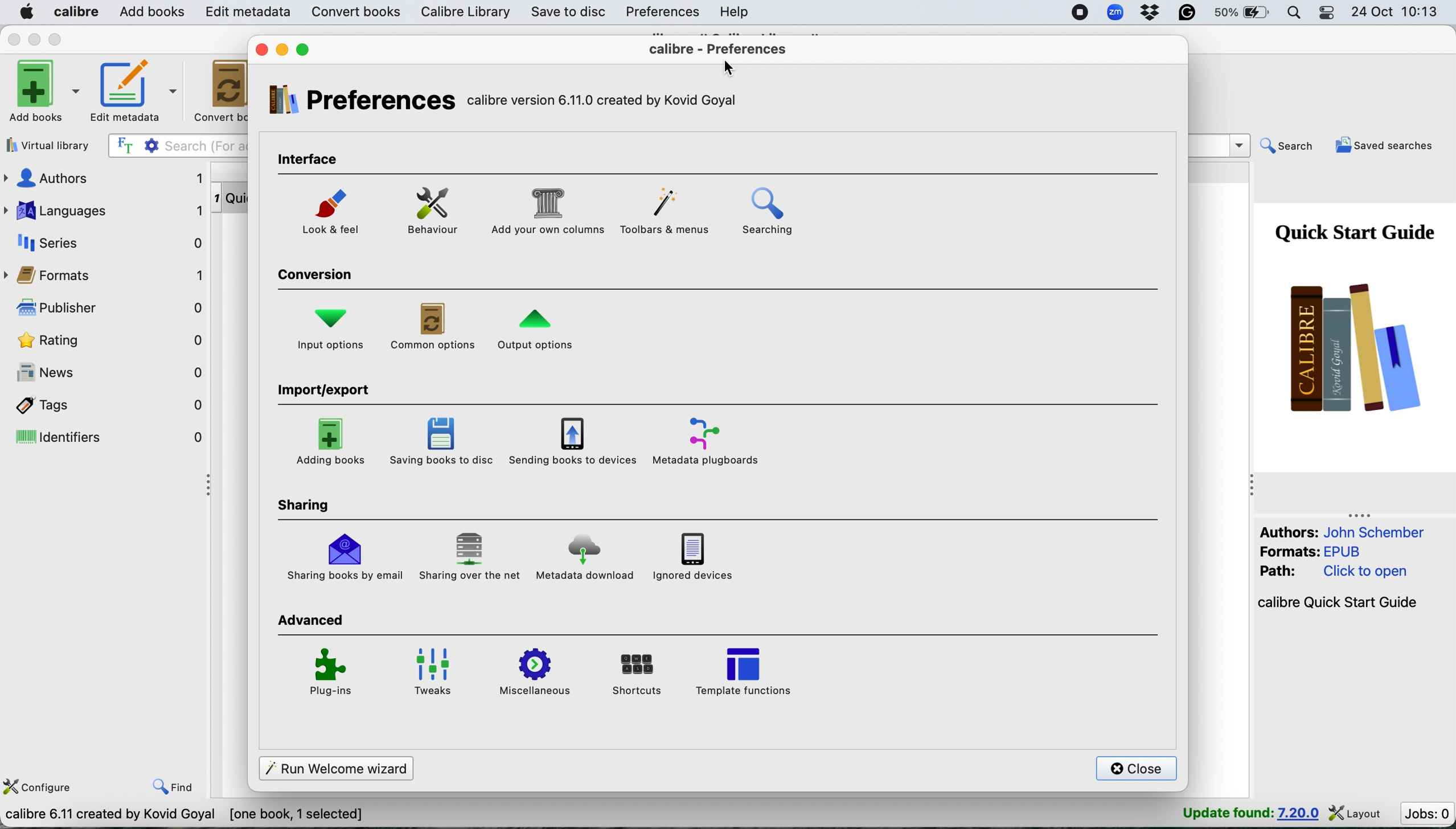  Describe the element at coordinates (317, 158) in the screenshot. I see `interface` at that location.